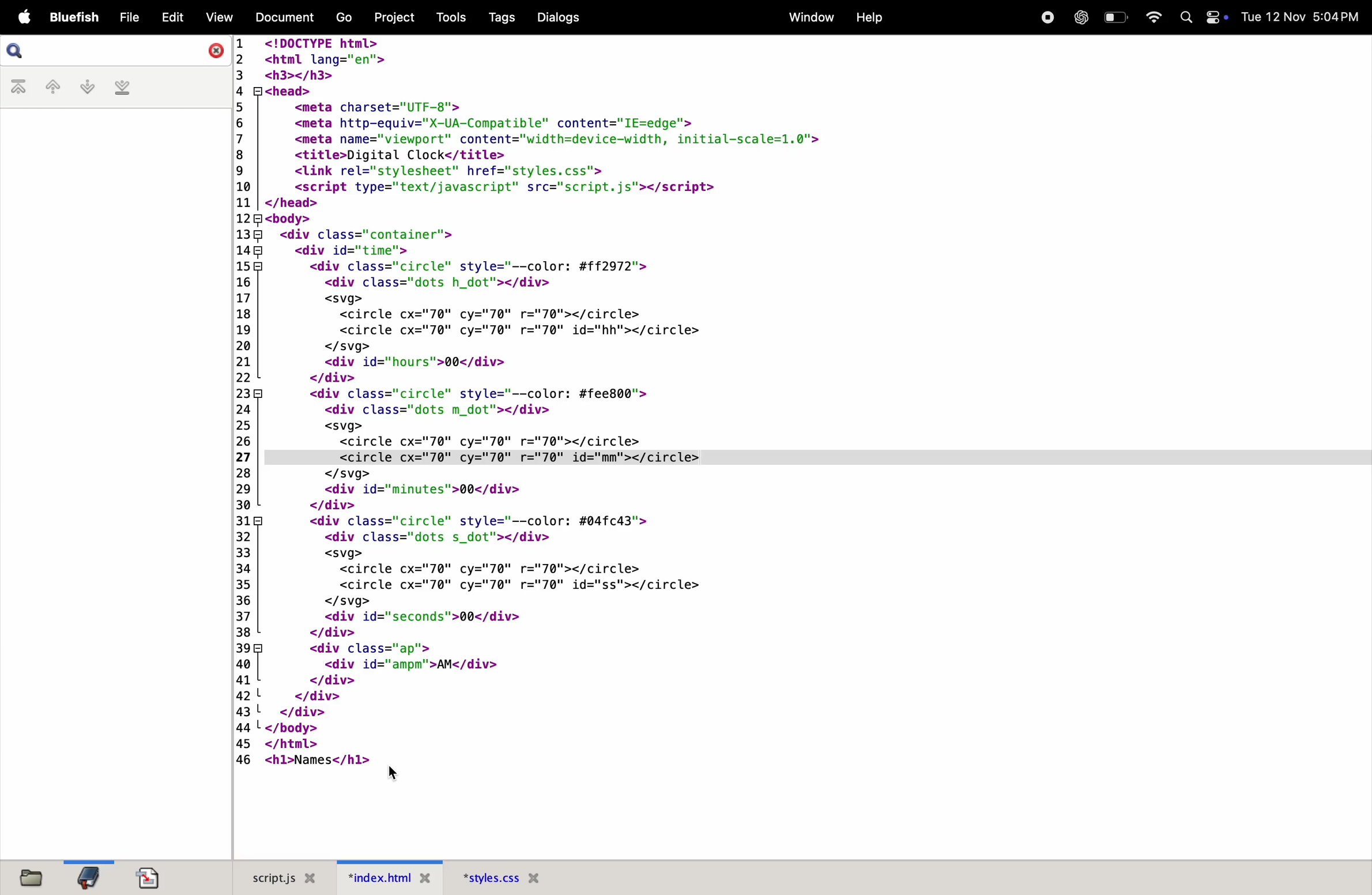 The width and height of the screenshot is (1372, 895). Describe the element at coordinates (502, 875) in the screenshot. I see `style.css` at that location.